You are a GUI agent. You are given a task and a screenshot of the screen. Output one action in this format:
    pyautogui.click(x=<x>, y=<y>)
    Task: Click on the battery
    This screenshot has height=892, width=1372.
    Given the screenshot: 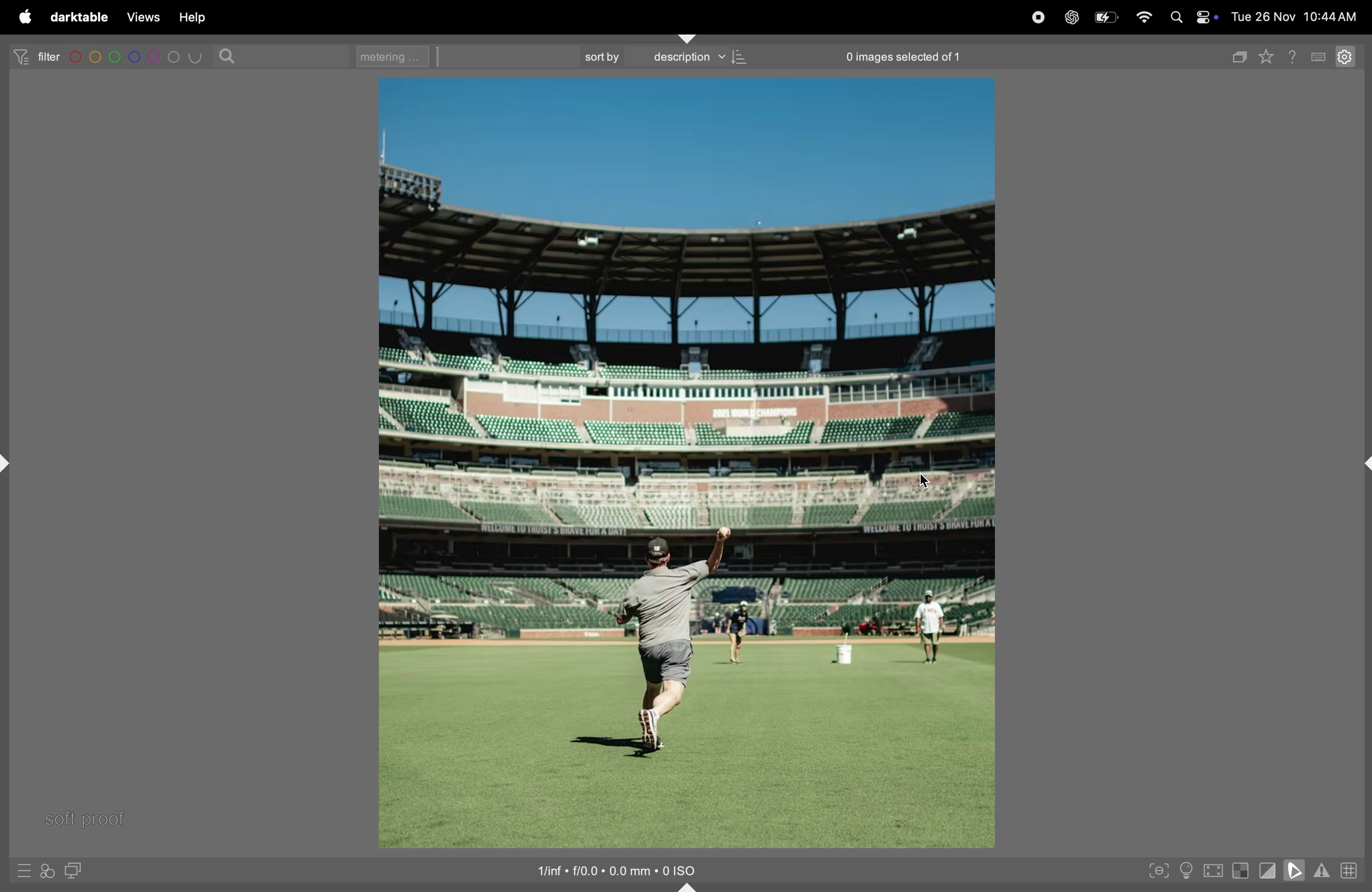 What is the action you would take?
    pyautogui.click(x=1105, y=18)
    